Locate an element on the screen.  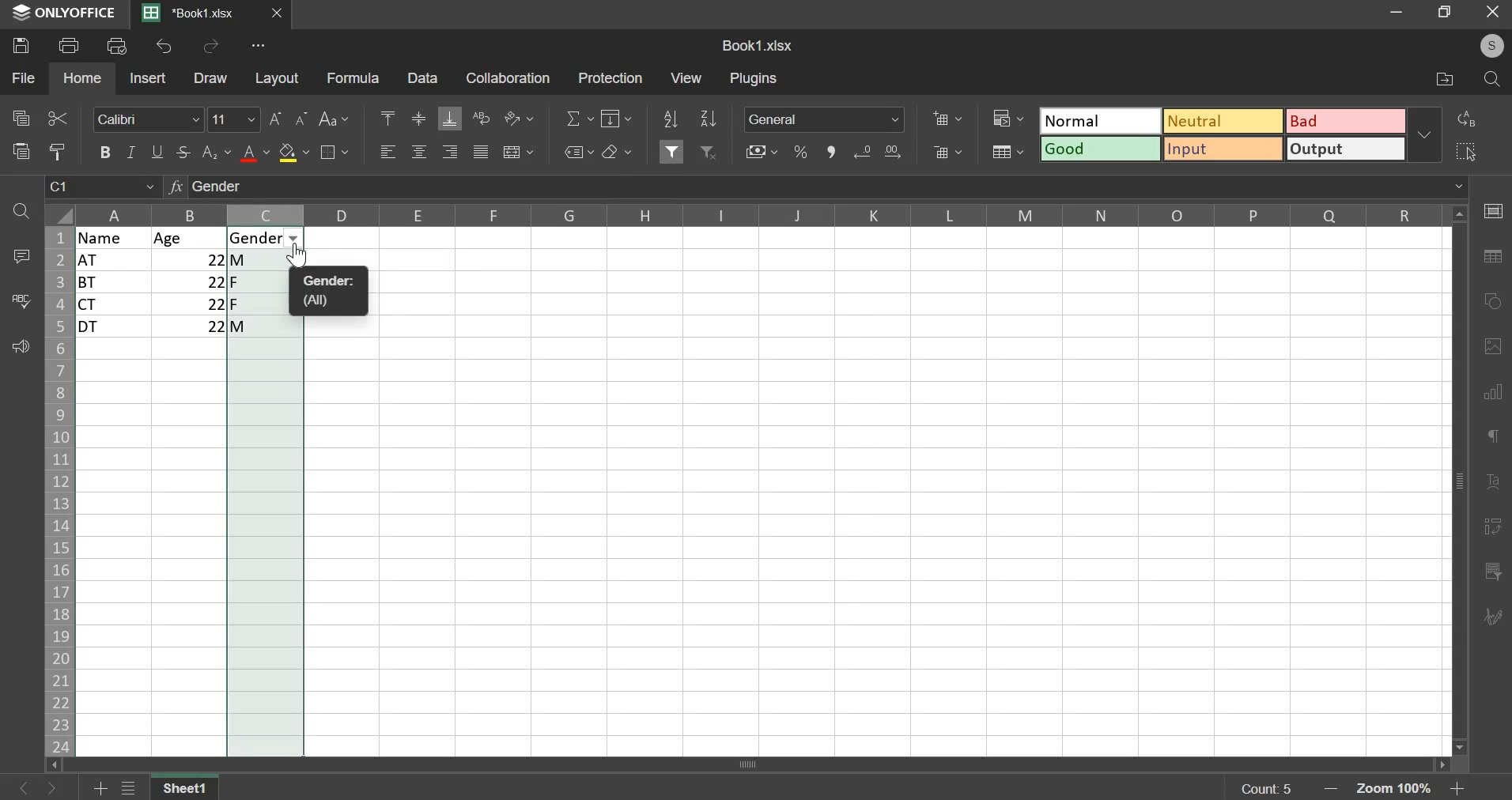
undo is located at coordinates (164, 47).